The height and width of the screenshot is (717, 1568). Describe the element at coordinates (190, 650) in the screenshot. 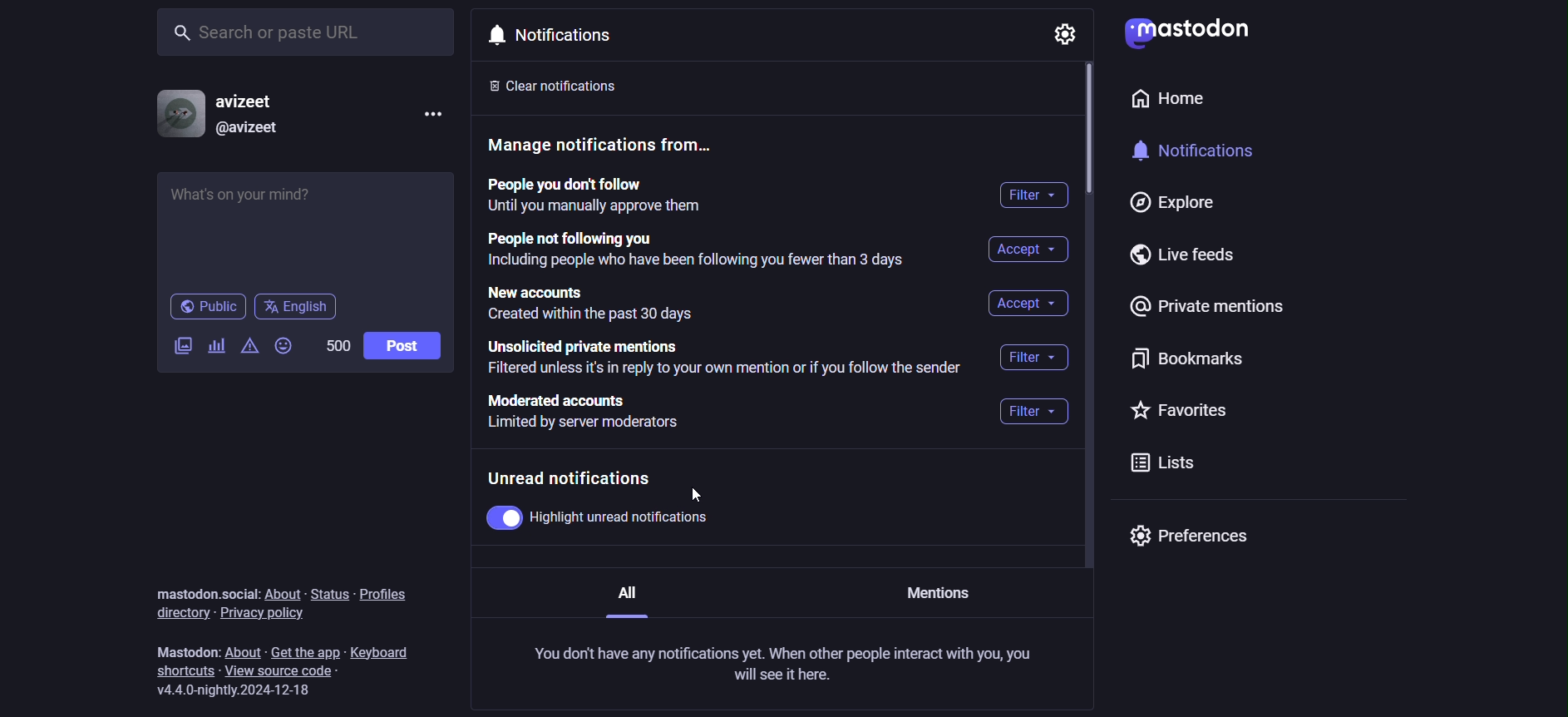

I see `text` at that location.